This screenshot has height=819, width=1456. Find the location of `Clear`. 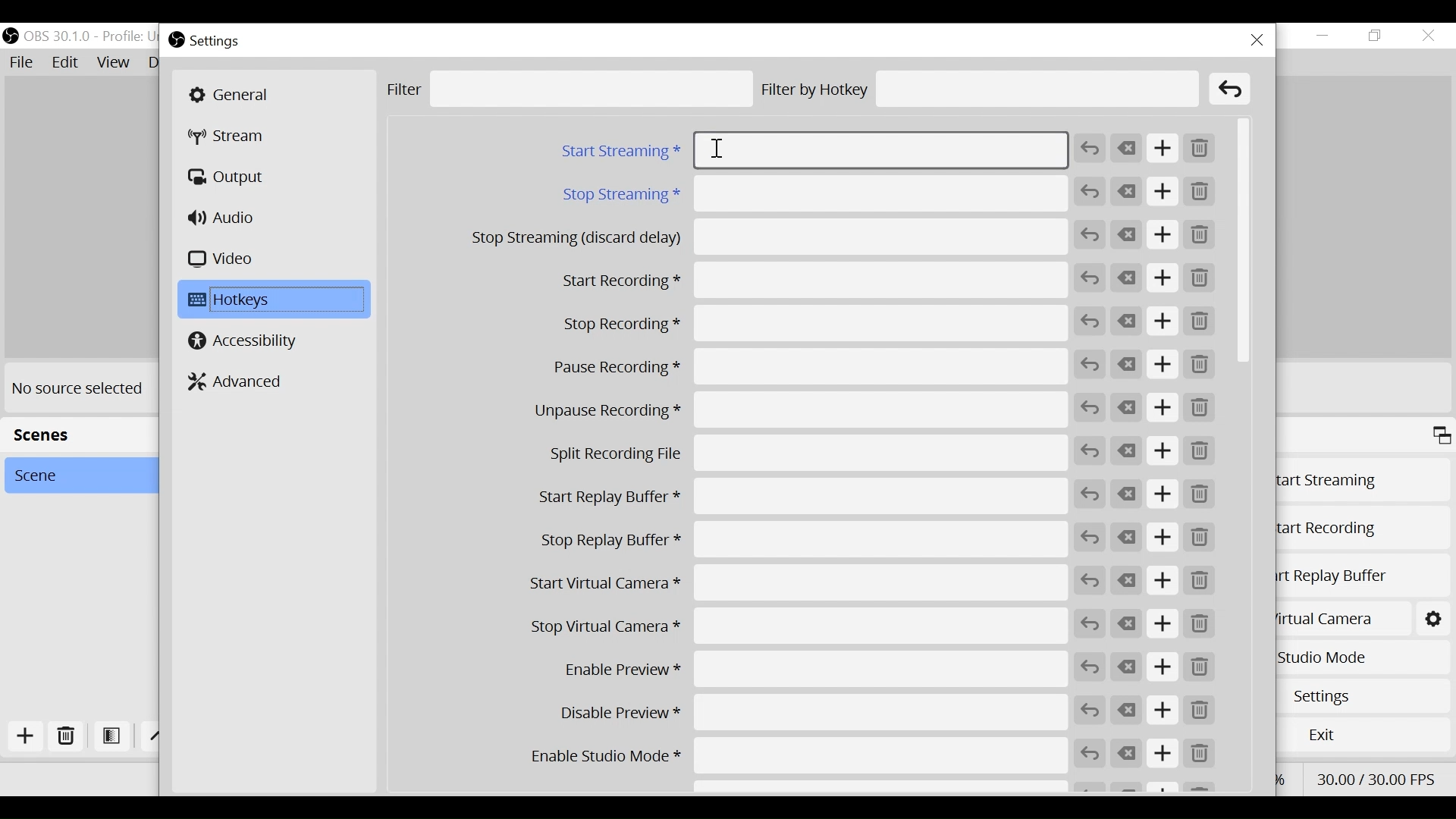

Clear is located at coordinates (1129, 711).